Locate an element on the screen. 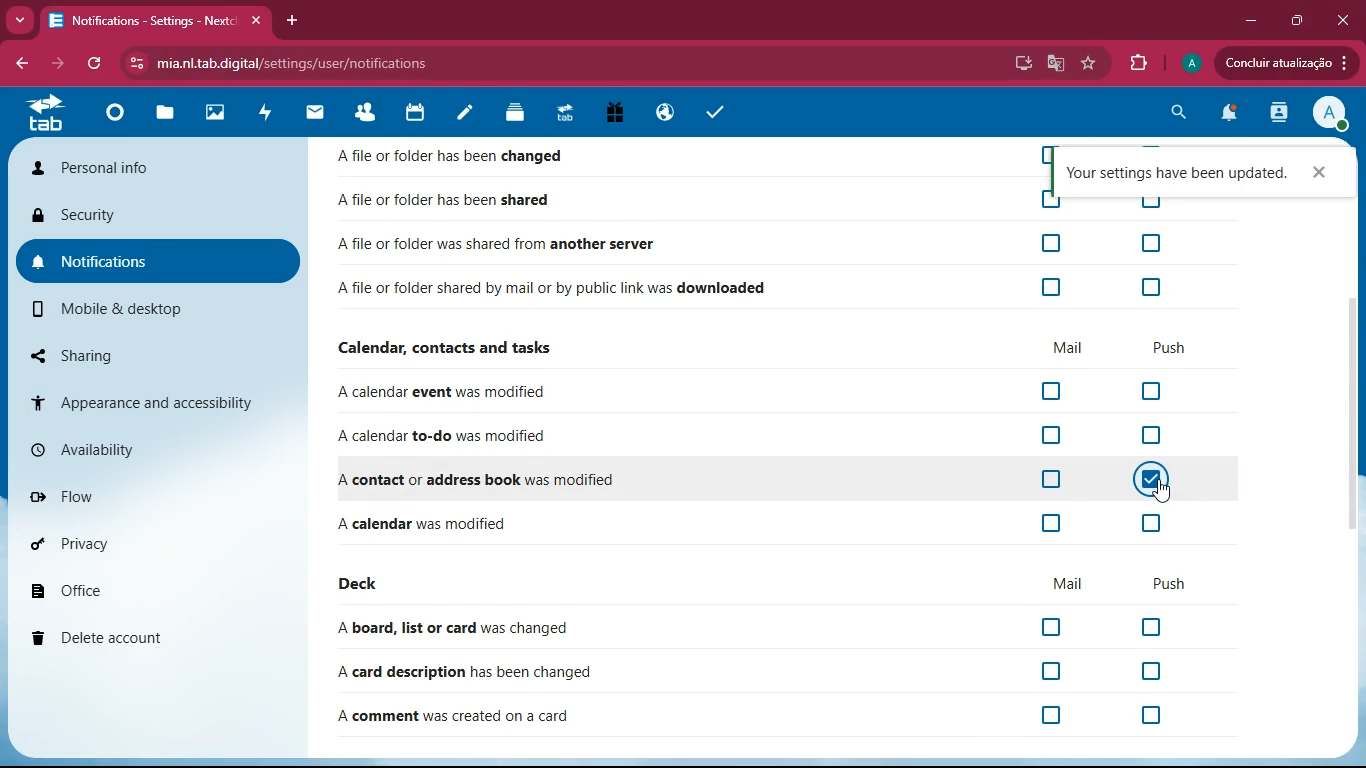 The image size is (1366, 768). off is located at coordinates (1051, 242).